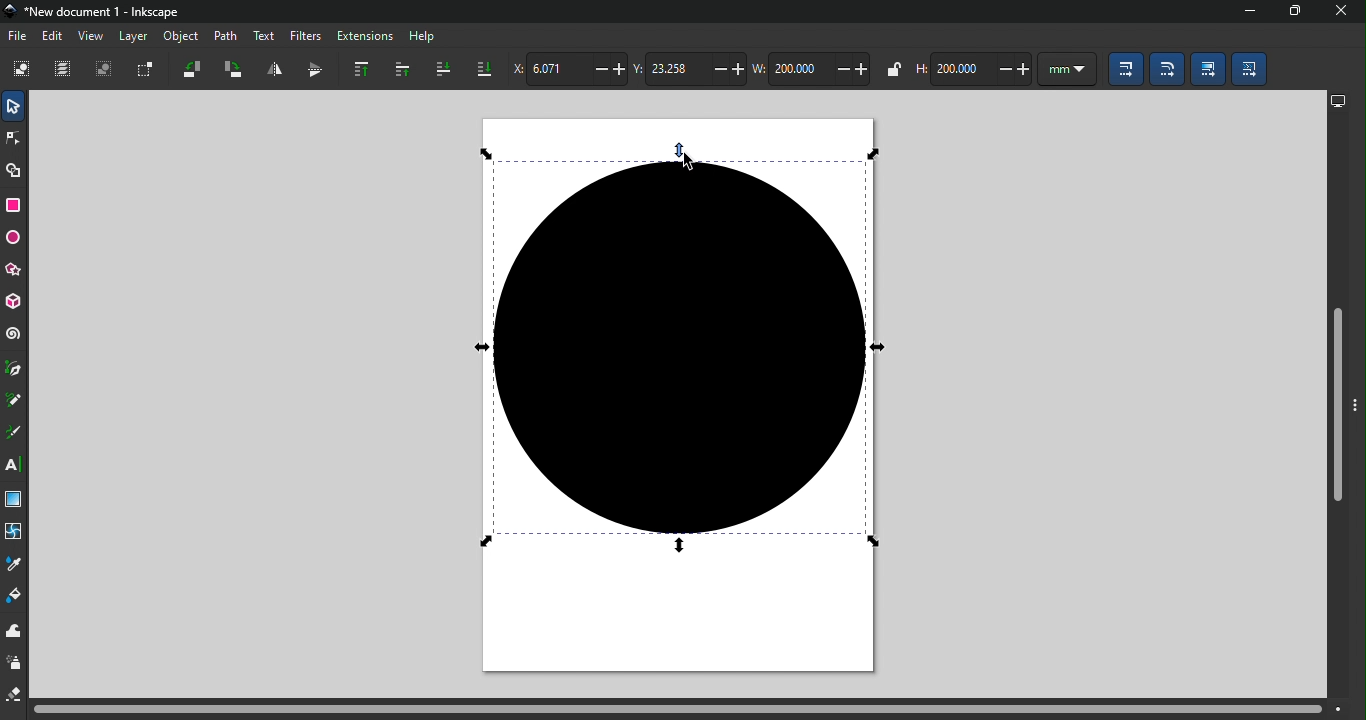 The width and height of the screenshot is (1366, 720). I want to click on Node tool, so click(16, 139).